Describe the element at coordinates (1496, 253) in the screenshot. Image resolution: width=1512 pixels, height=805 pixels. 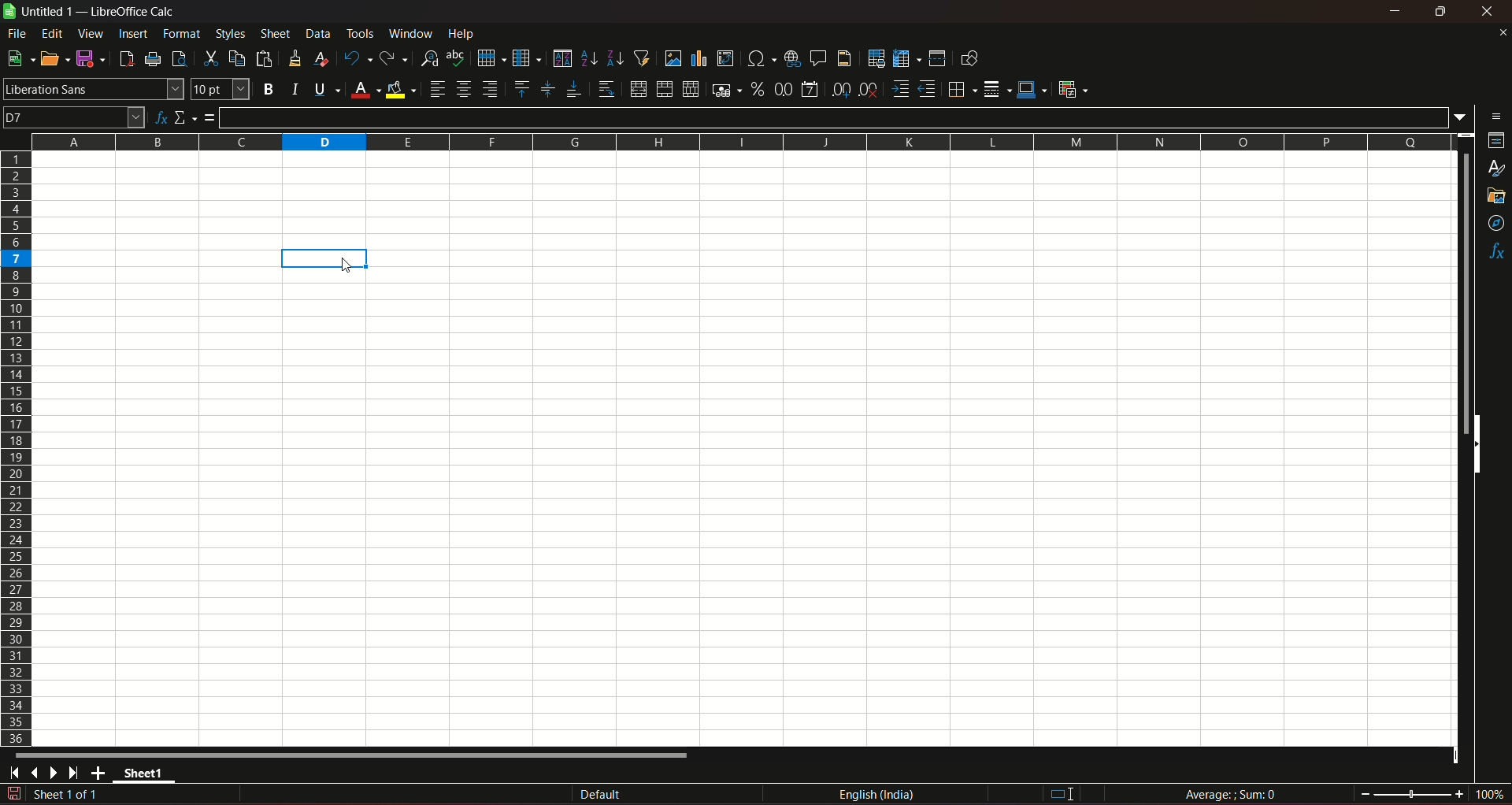
I see `functions` at that location.